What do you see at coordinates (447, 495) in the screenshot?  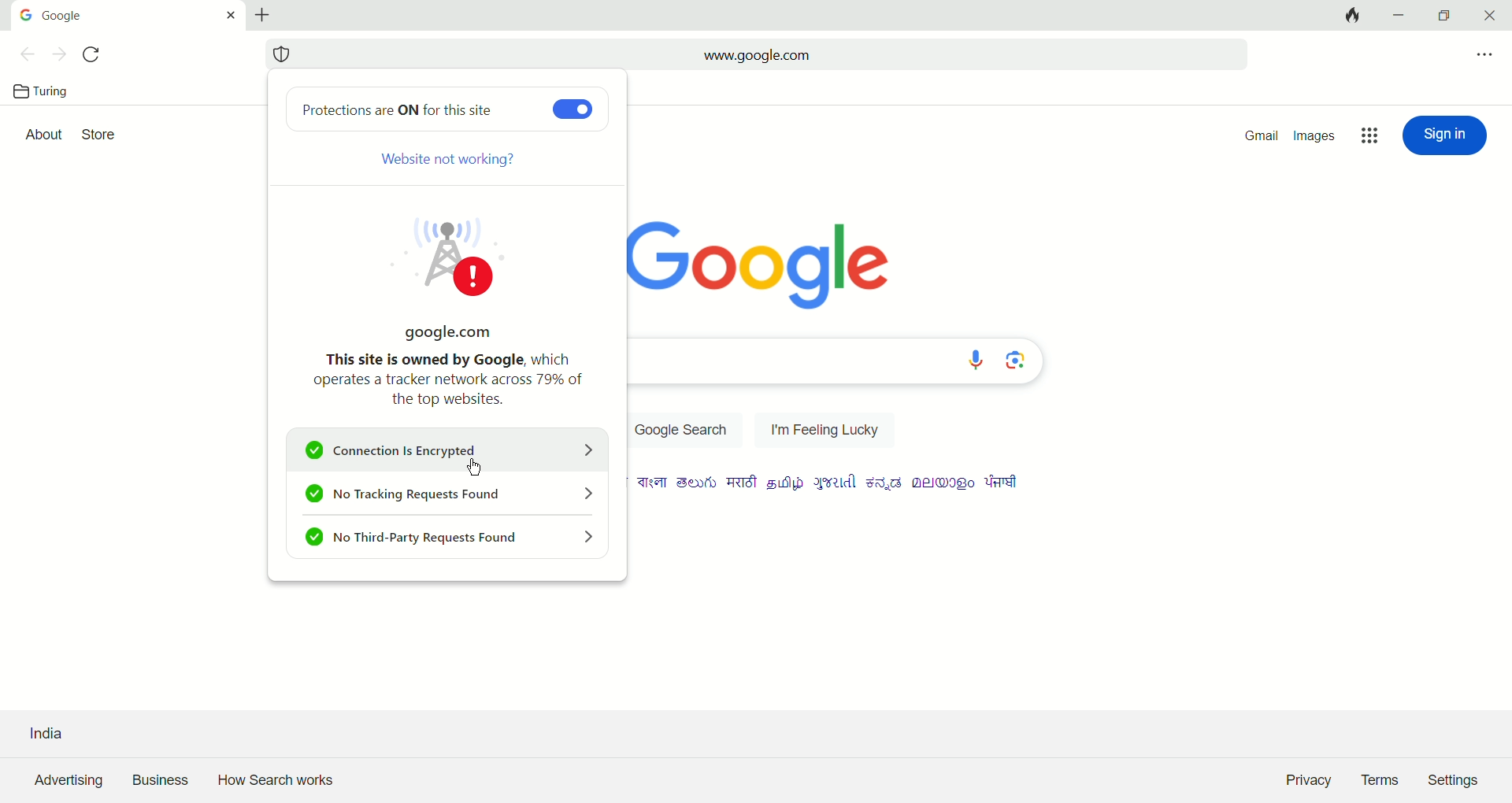 I see `No Tracking Requests found` at bounding box center [447, 495].